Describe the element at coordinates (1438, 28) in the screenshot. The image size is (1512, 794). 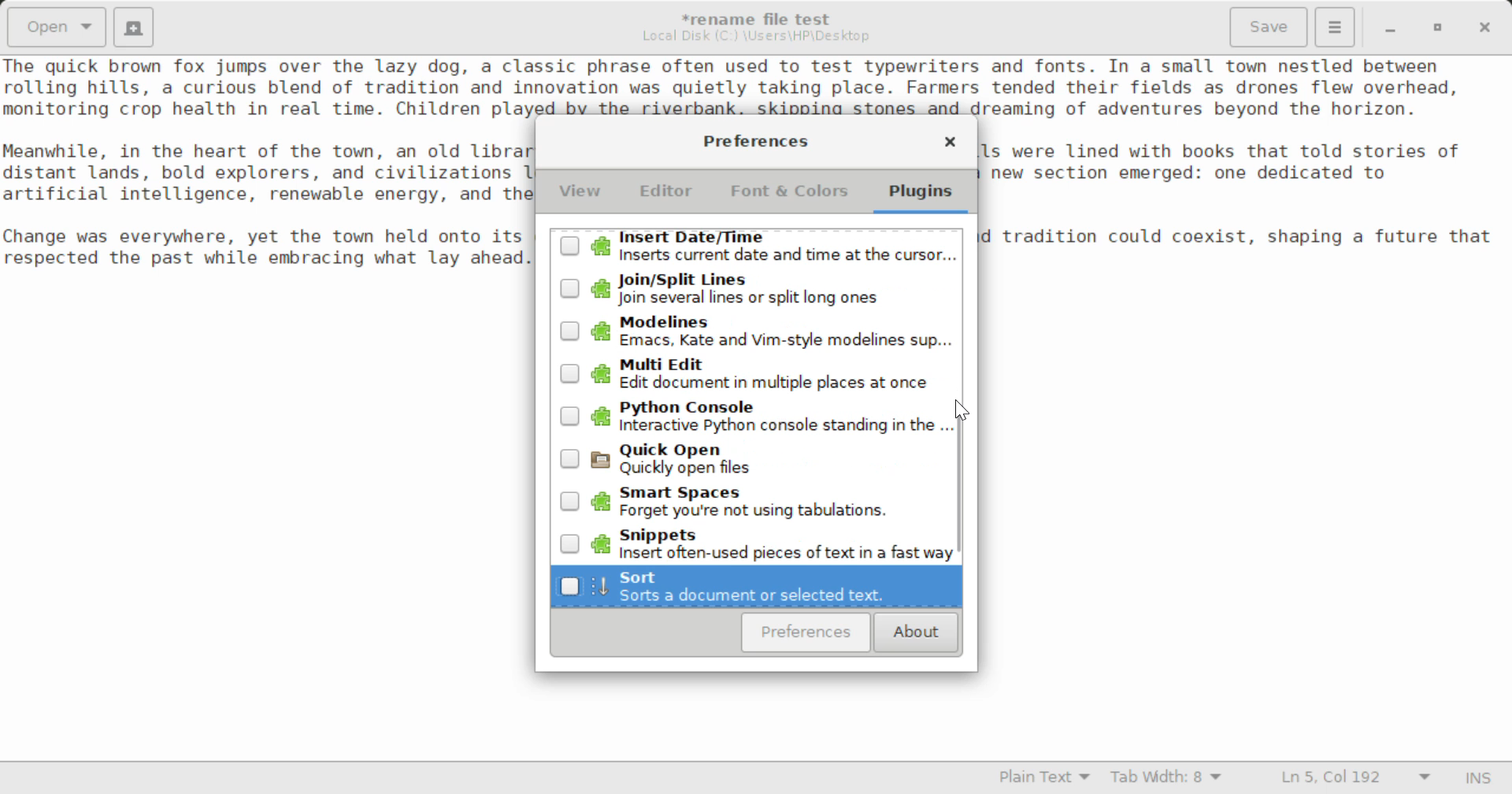
I see `Minimize` at that location.